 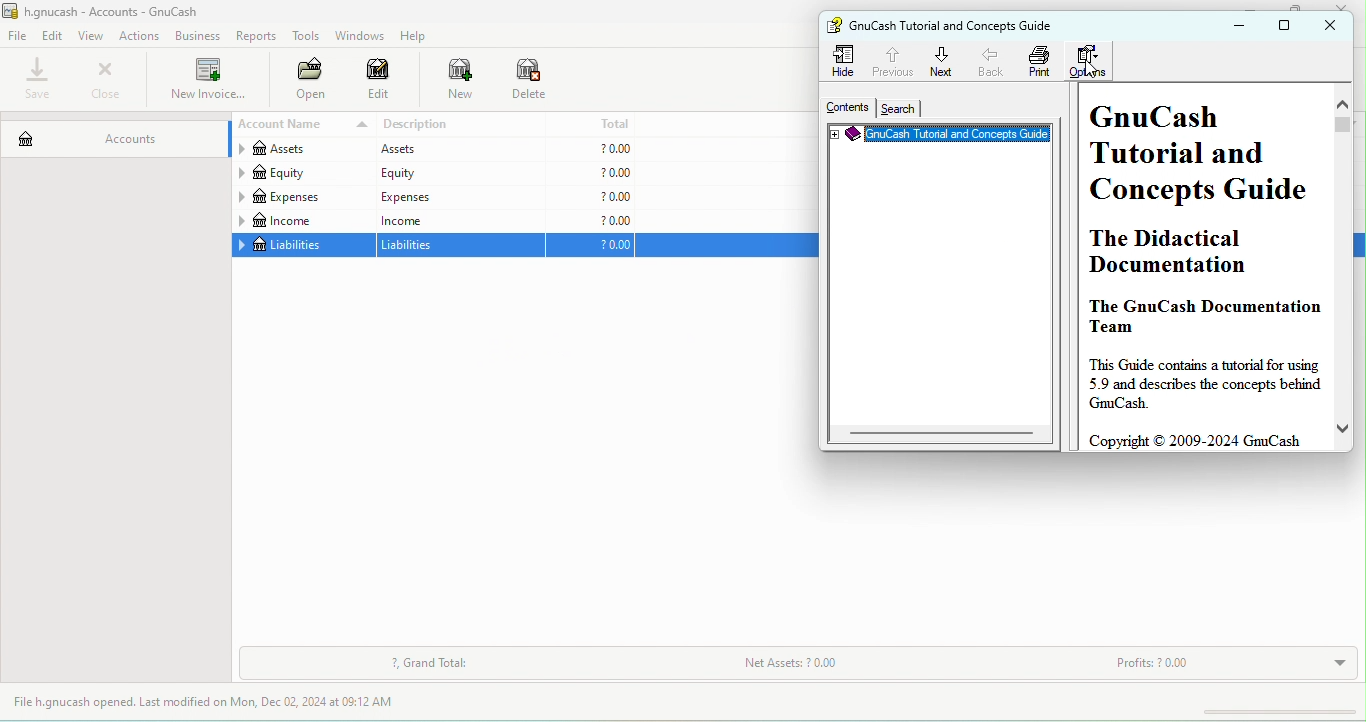 I want to click on close, so click(x=105, y=80).